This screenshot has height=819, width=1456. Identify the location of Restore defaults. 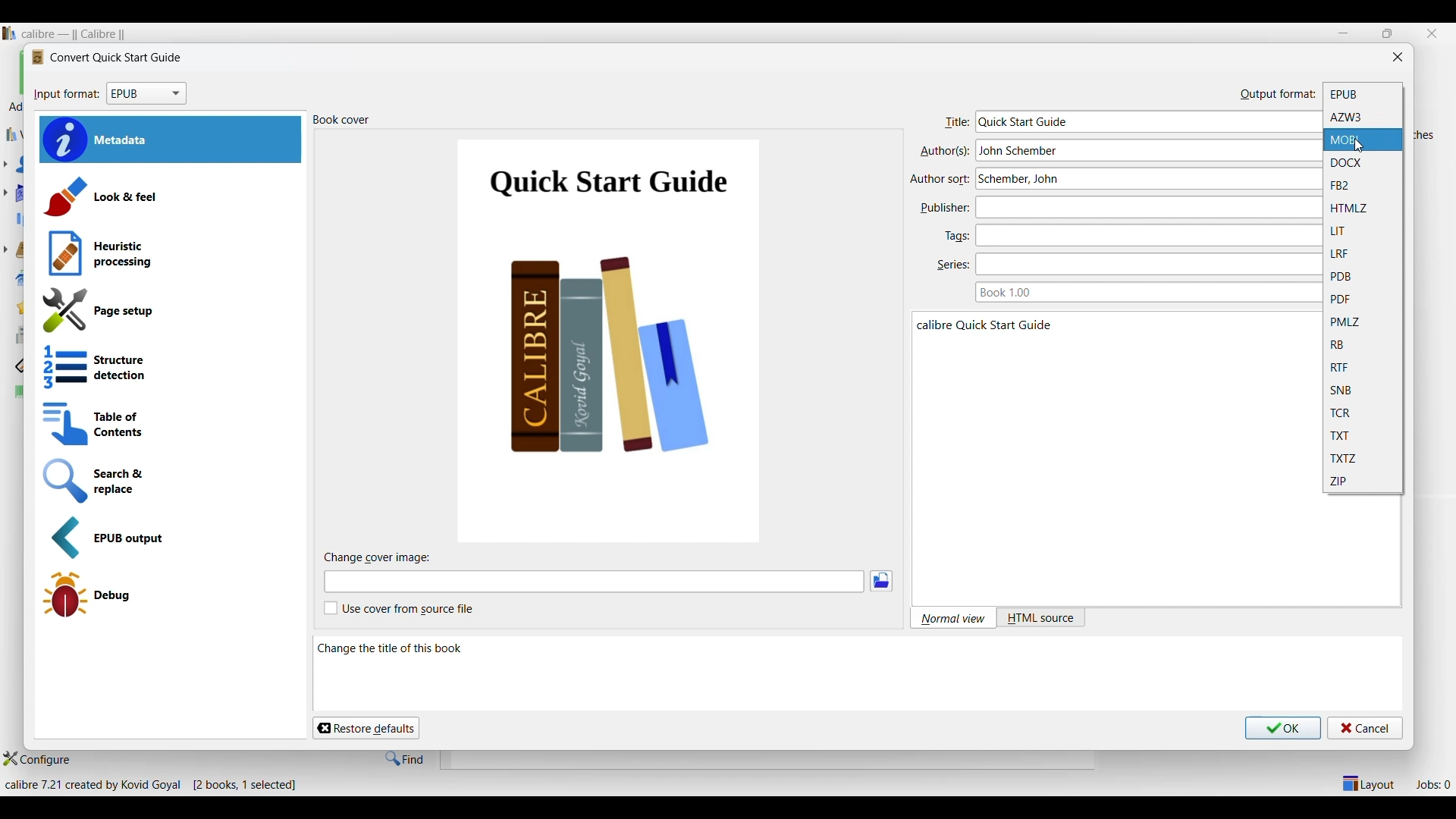
(366, 728).